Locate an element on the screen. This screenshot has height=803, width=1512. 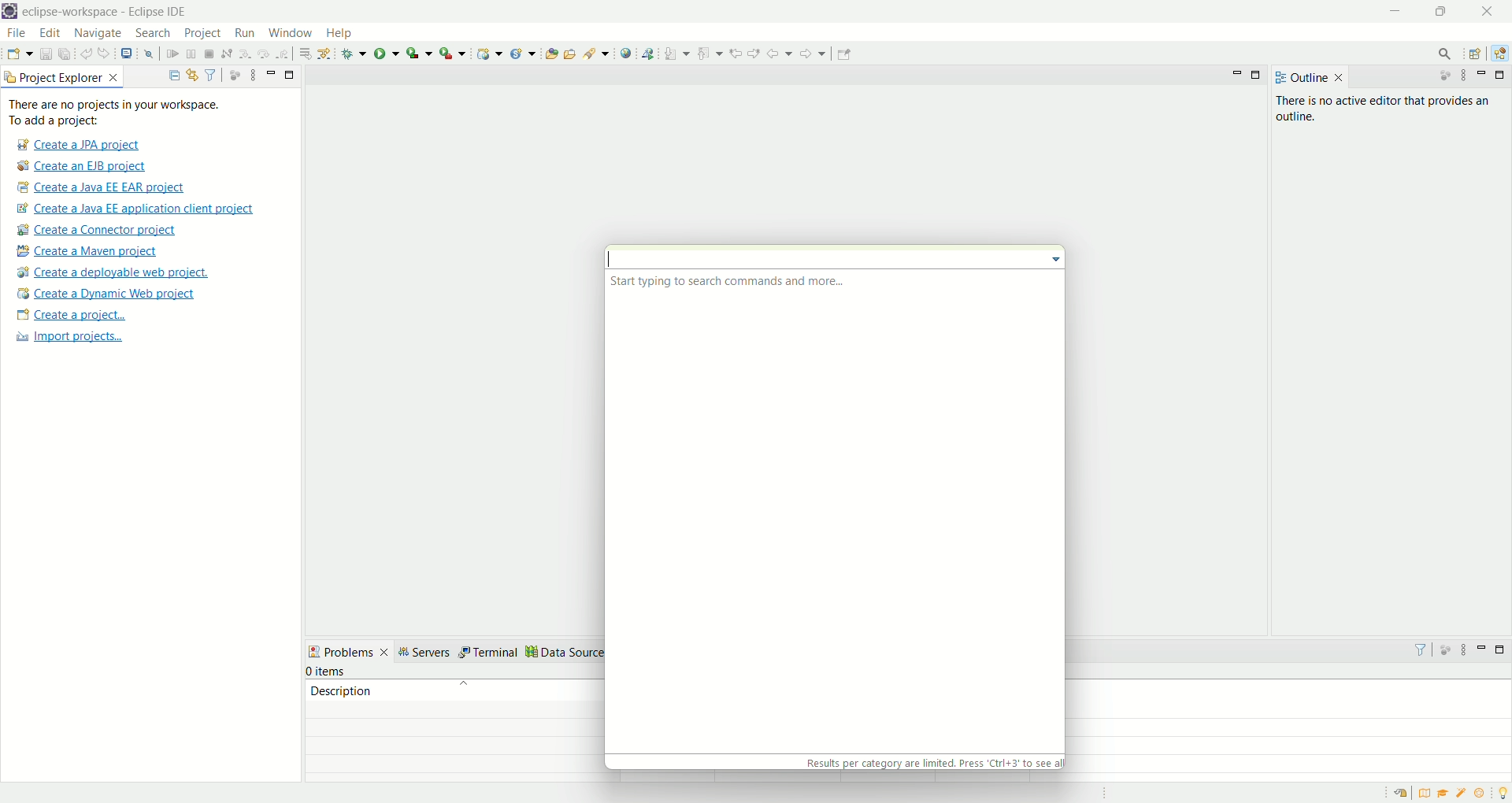
view menu is located at coordinates (254, 76).